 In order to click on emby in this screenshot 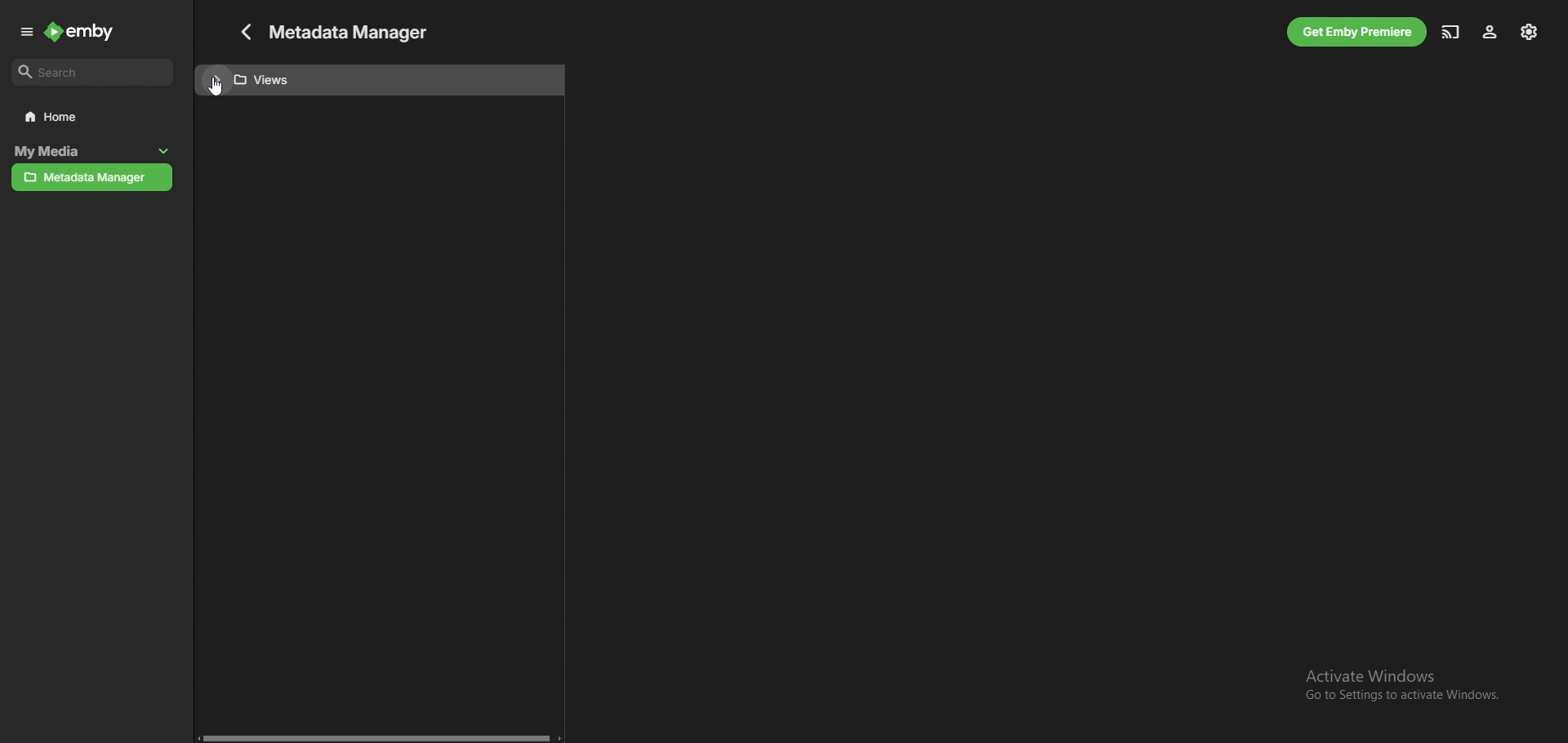, I will do `click(81, 31)`.